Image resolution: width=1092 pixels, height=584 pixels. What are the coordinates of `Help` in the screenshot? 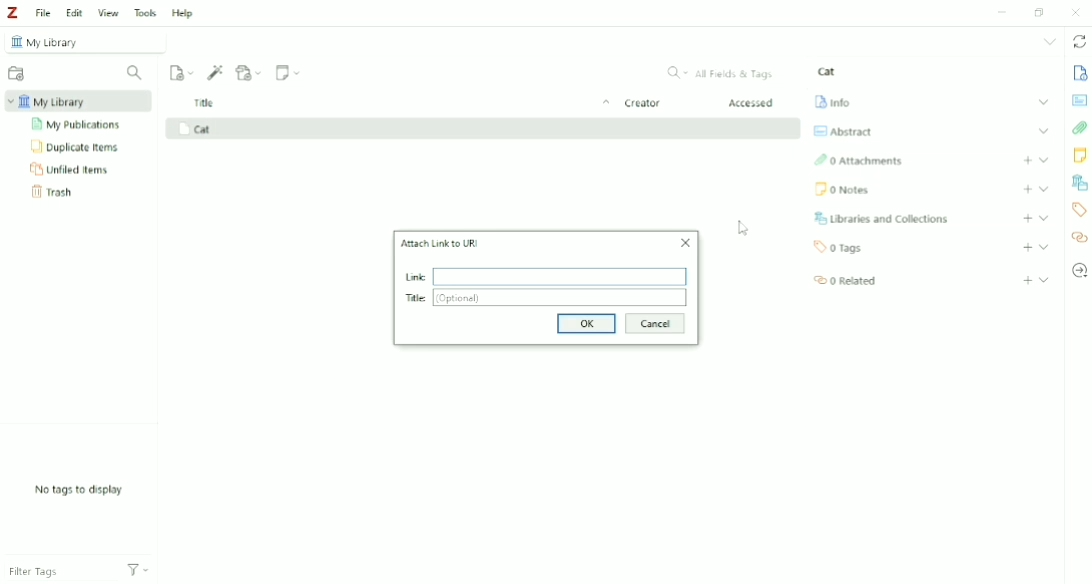 It's located at (182, 14).